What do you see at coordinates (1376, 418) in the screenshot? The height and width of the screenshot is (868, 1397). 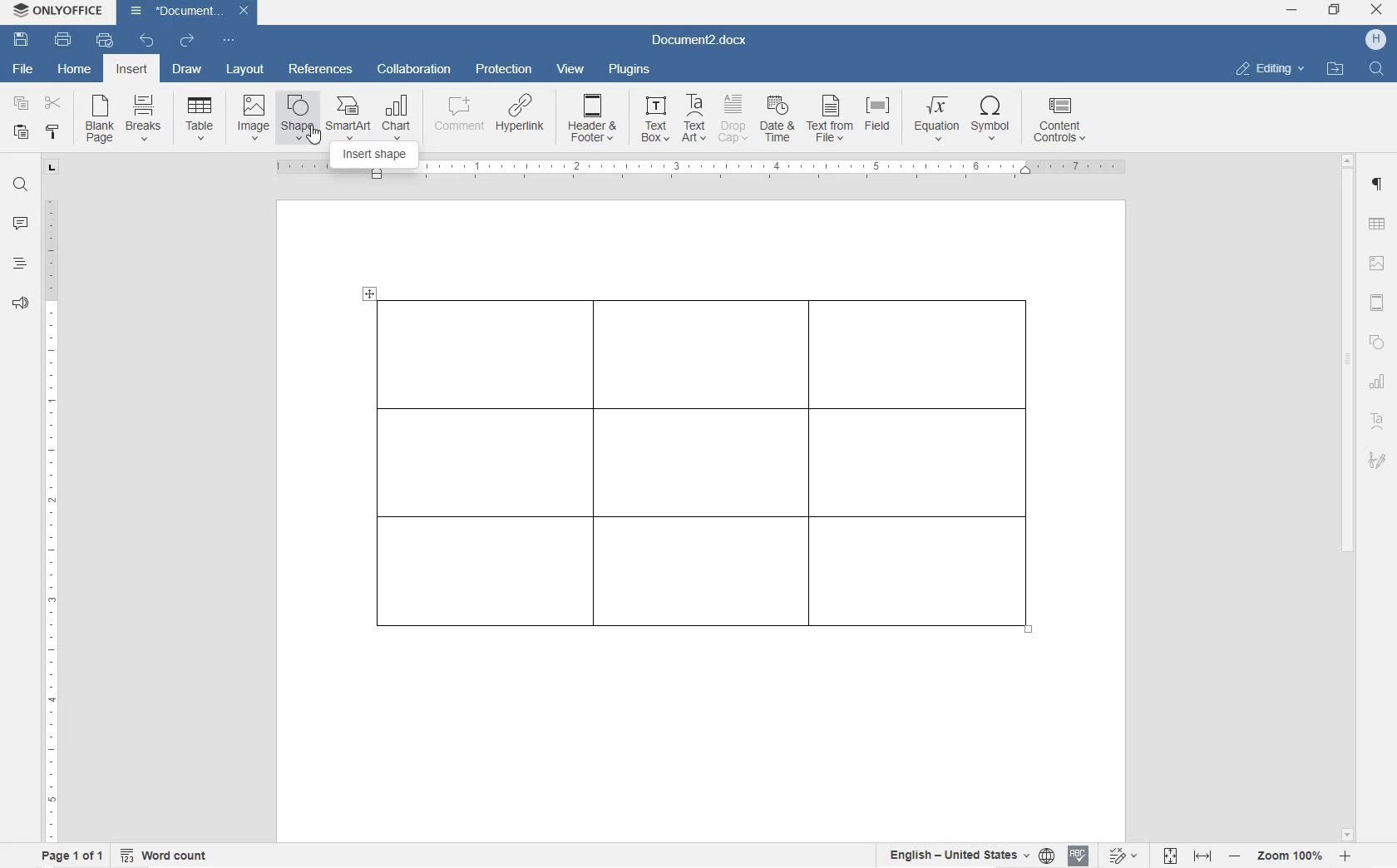 I see `textart` at bounding box center [1376, 418].